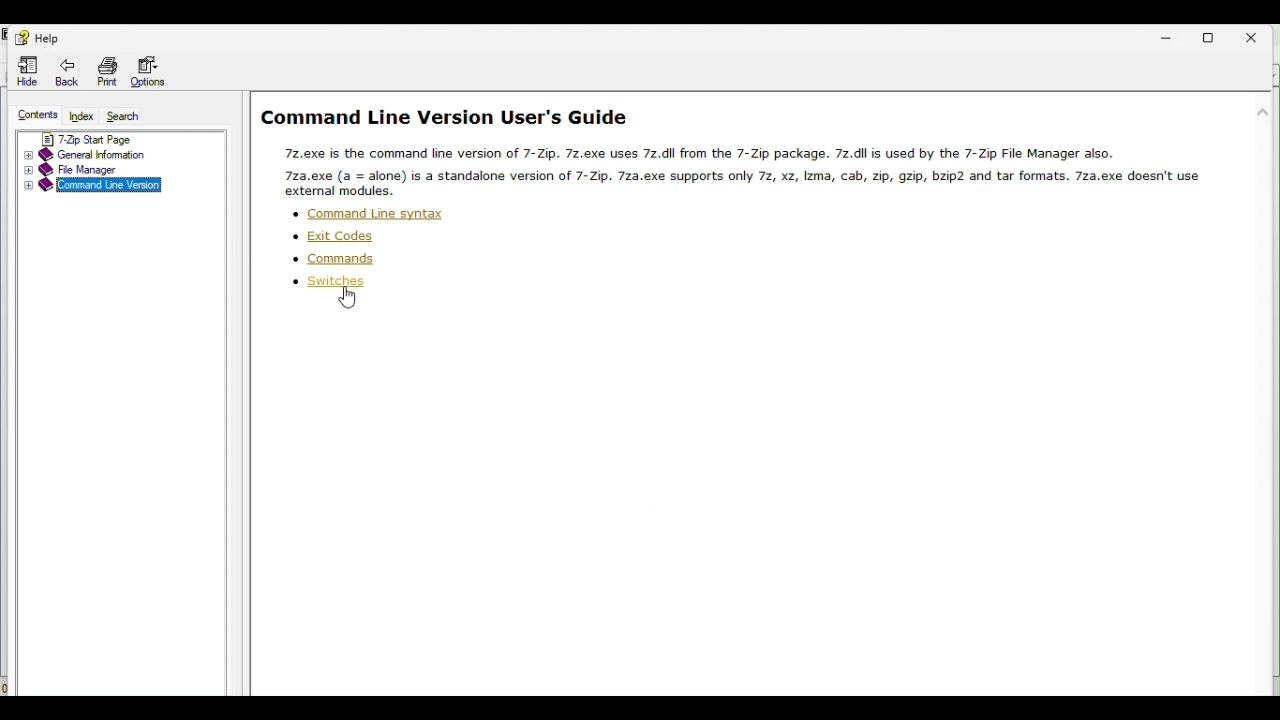  What do you see at coordinates (731, 171) in the screenshot?
I see `User guide` at bounding box center [731, 171].